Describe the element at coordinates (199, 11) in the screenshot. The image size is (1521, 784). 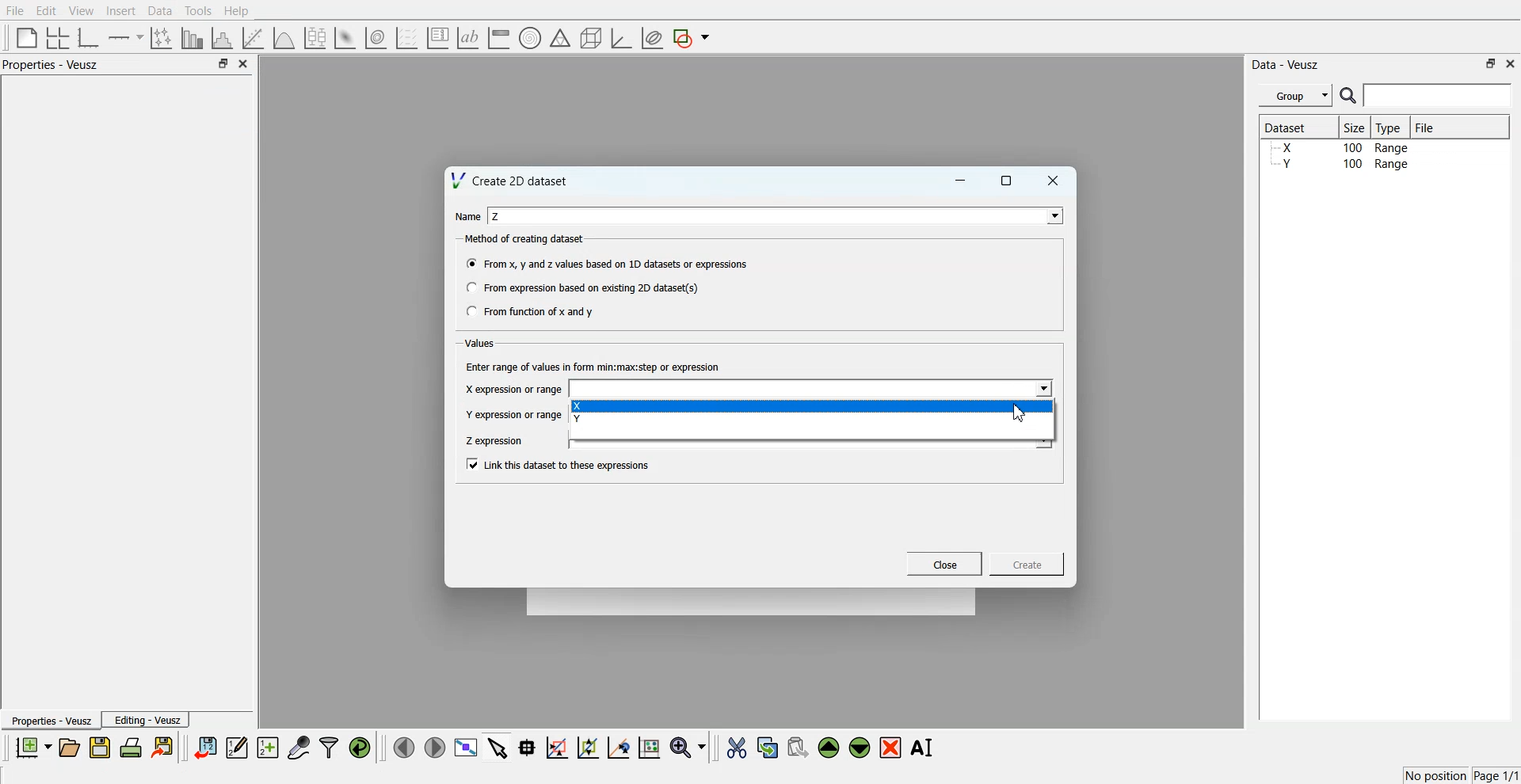
I see `Tools` at that location.